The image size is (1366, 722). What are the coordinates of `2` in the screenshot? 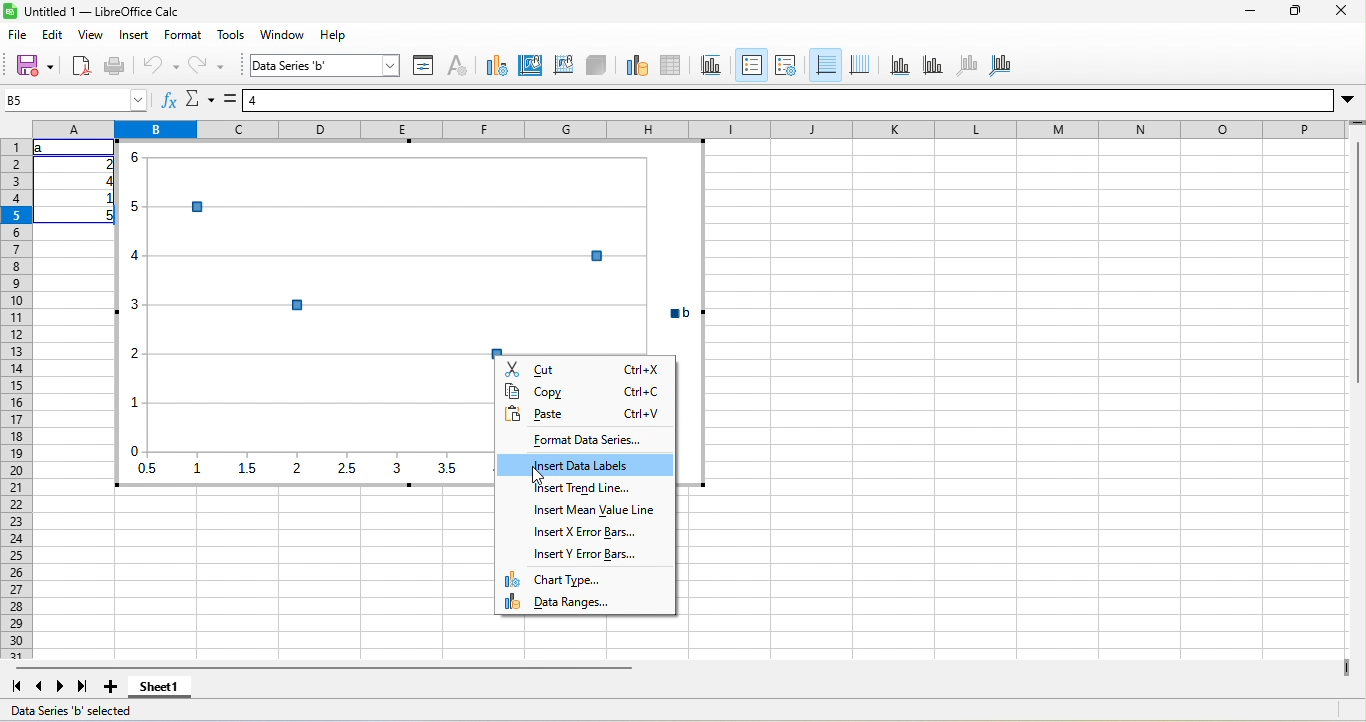 It's located at (106, 164).